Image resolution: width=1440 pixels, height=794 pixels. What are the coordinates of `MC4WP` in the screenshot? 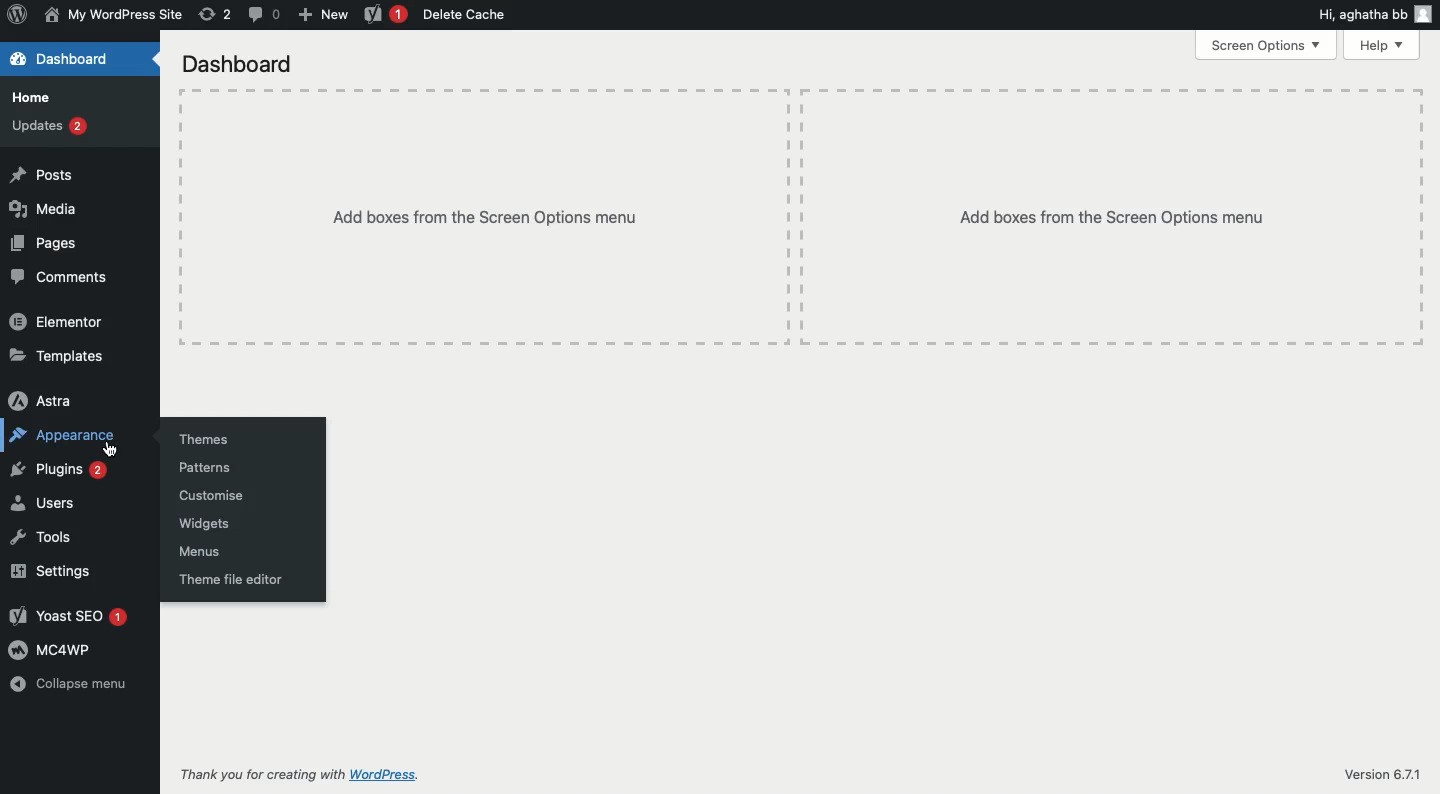 It's located at (53, 650).